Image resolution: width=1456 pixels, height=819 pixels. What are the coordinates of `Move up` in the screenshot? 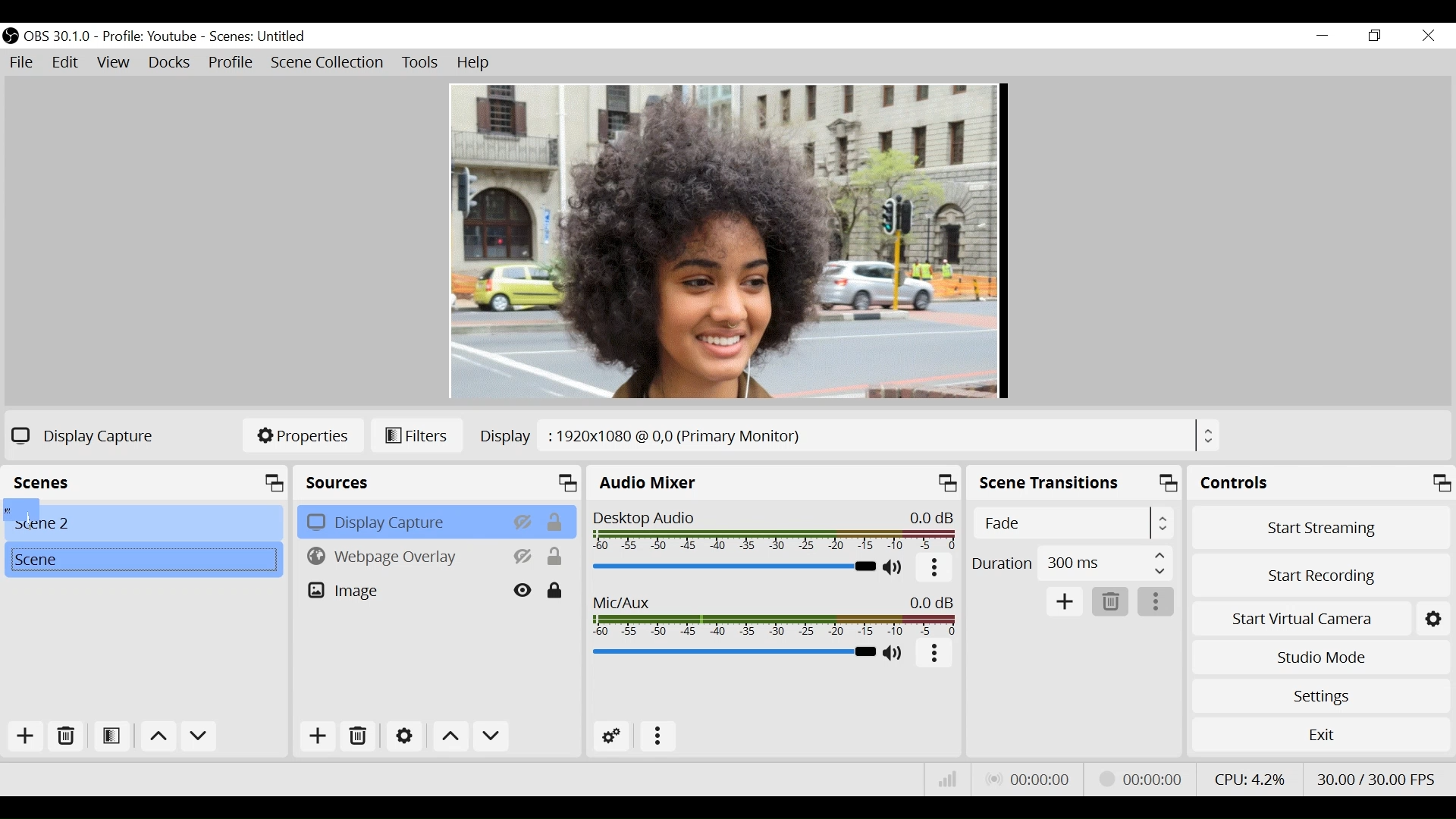 It's located at (157, 738).